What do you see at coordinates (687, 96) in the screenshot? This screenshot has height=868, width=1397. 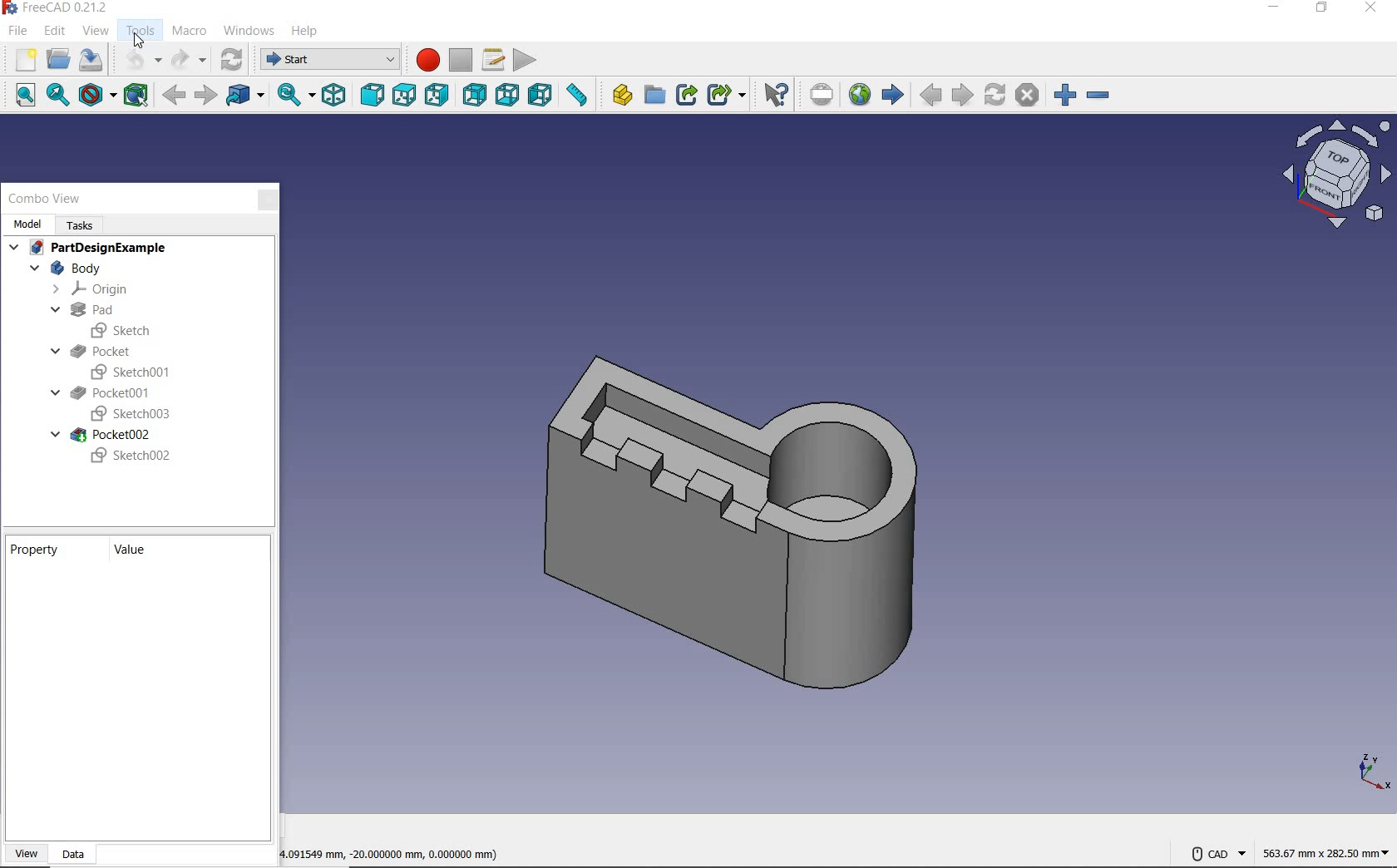 I see `Make link` at bounding box center [687, 96].